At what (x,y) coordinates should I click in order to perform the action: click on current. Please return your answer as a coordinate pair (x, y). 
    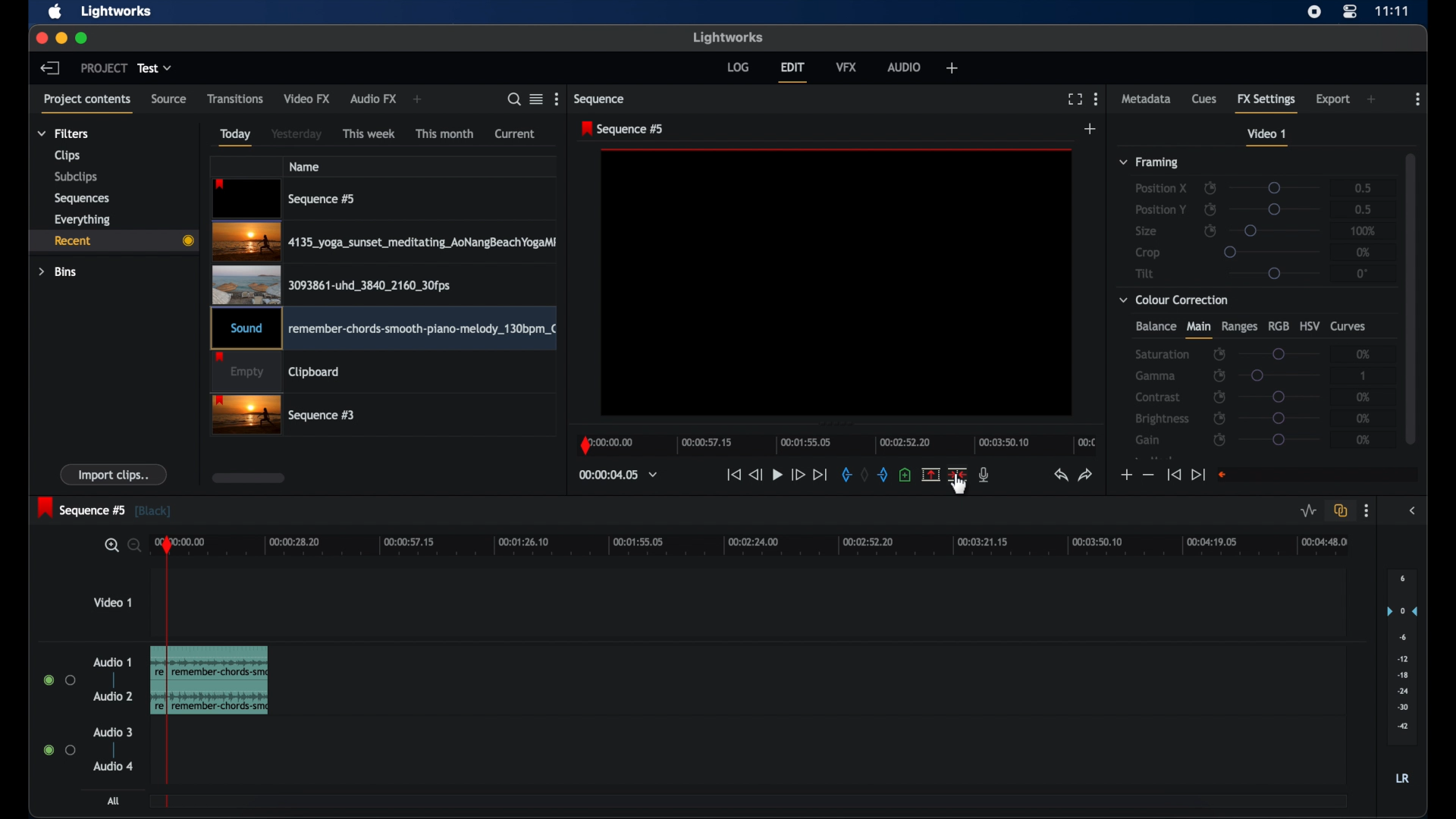
    Looking at the image, I should click on (515, 134).